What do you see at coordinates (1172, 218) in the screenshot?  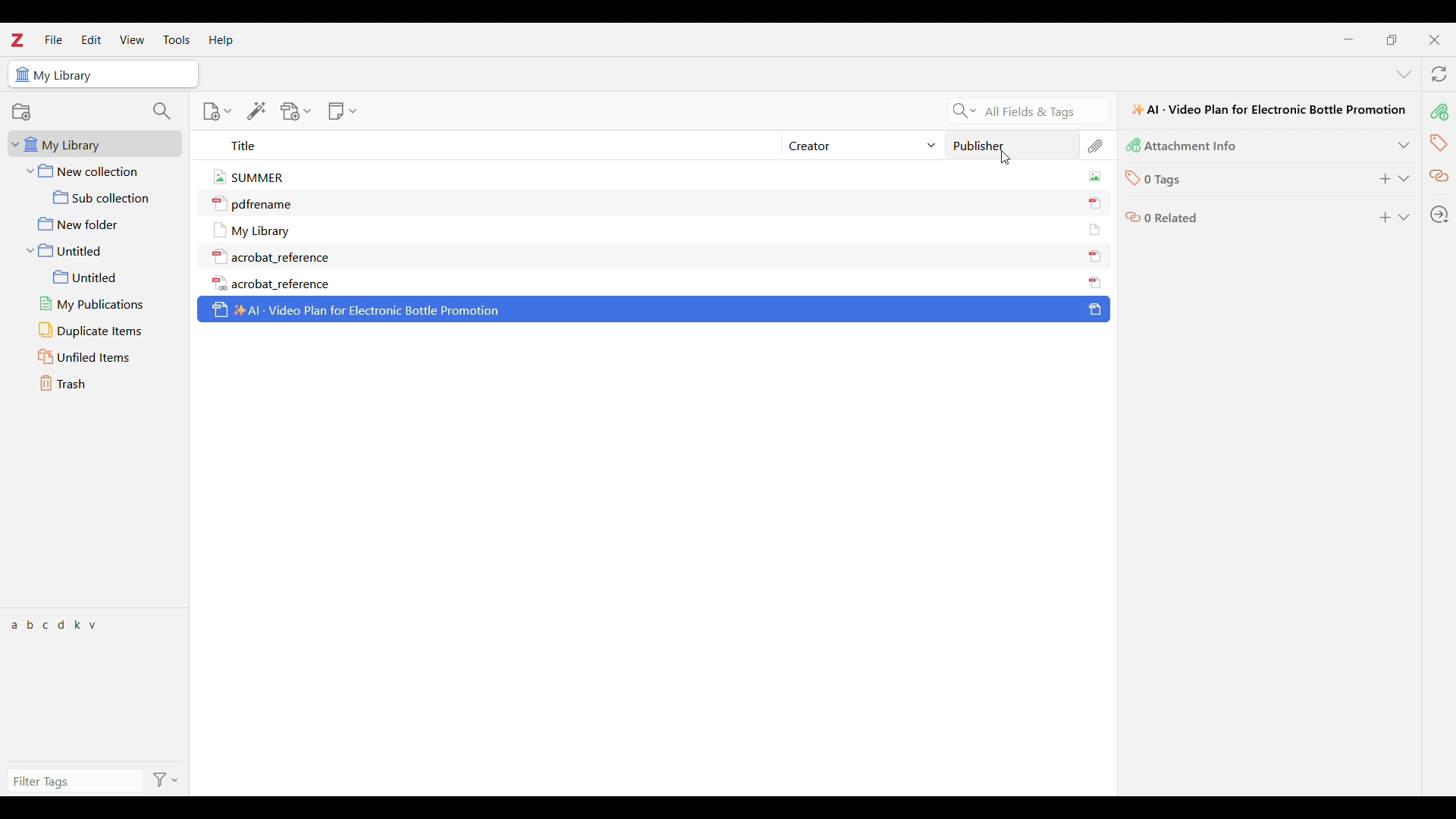 I see `0 Related` at bounding box center [1172, 218].